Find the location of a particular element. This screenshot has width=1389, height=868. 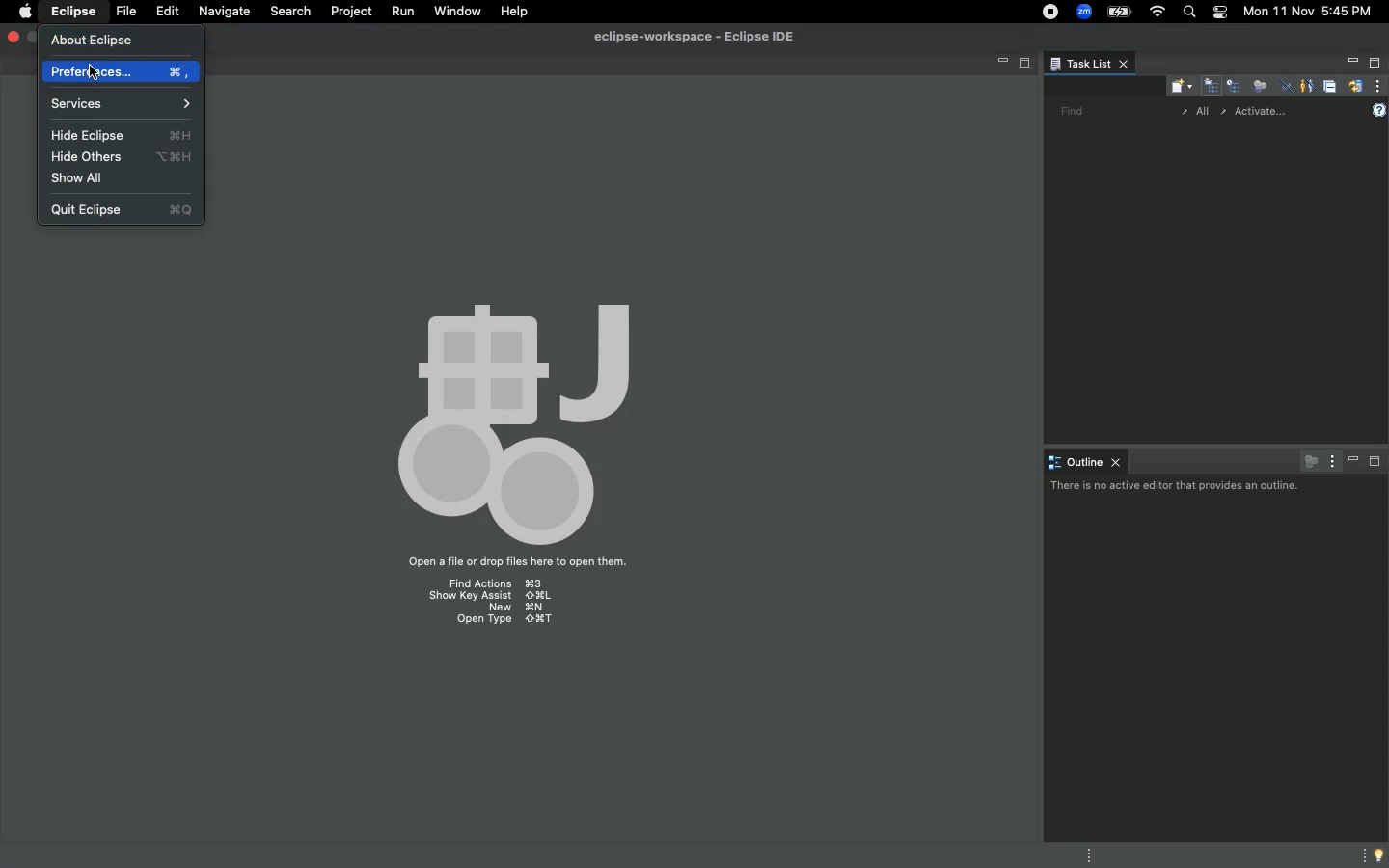

Task list is located at coordinates (1088, 64).